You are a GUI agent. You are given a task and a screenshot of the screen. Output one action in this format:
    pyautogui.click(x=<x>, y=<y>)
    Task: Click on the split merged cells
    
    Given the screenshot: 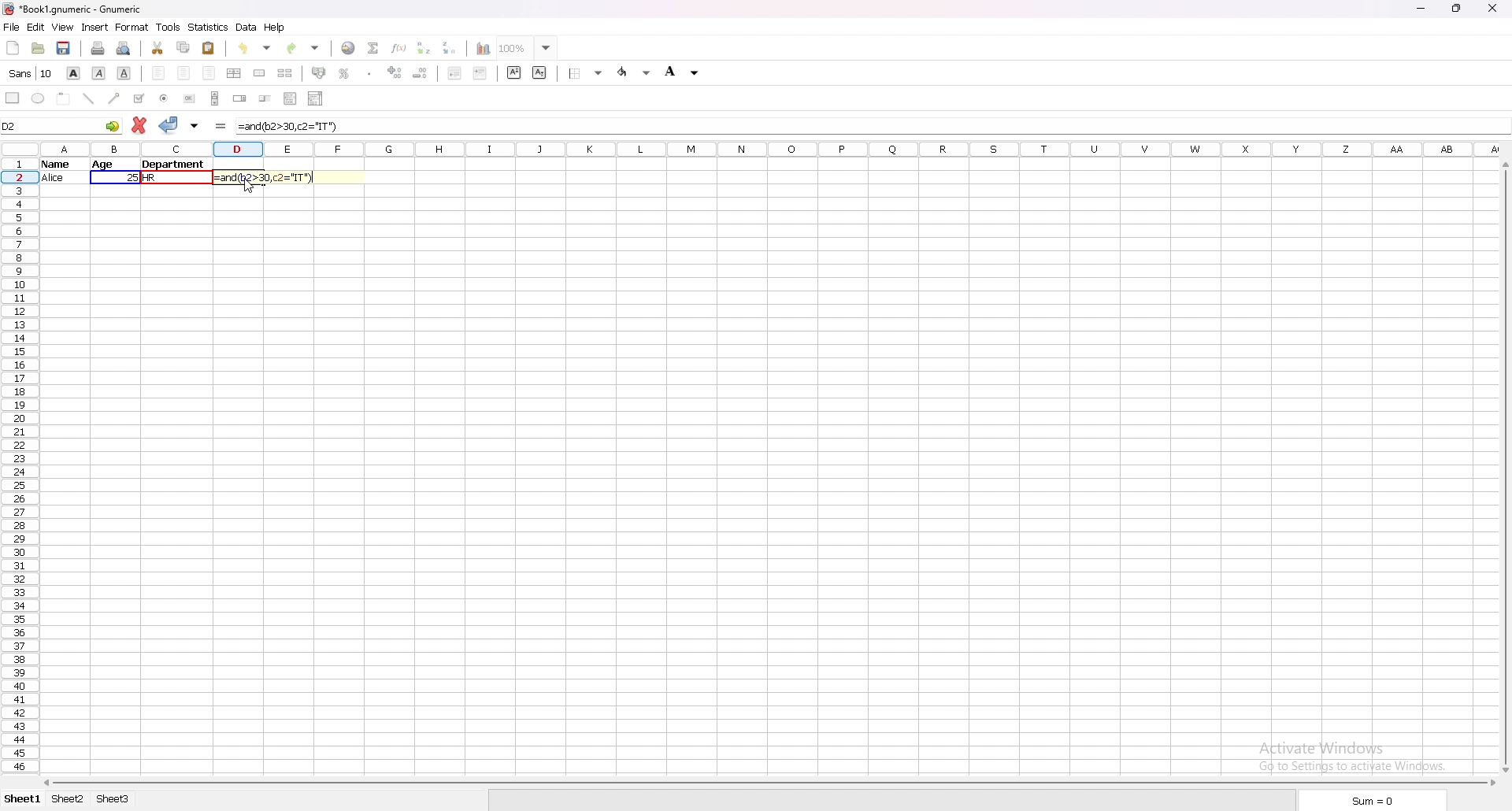 What is the action you would take?
    pyautogui.click(x=284, y=73)
    